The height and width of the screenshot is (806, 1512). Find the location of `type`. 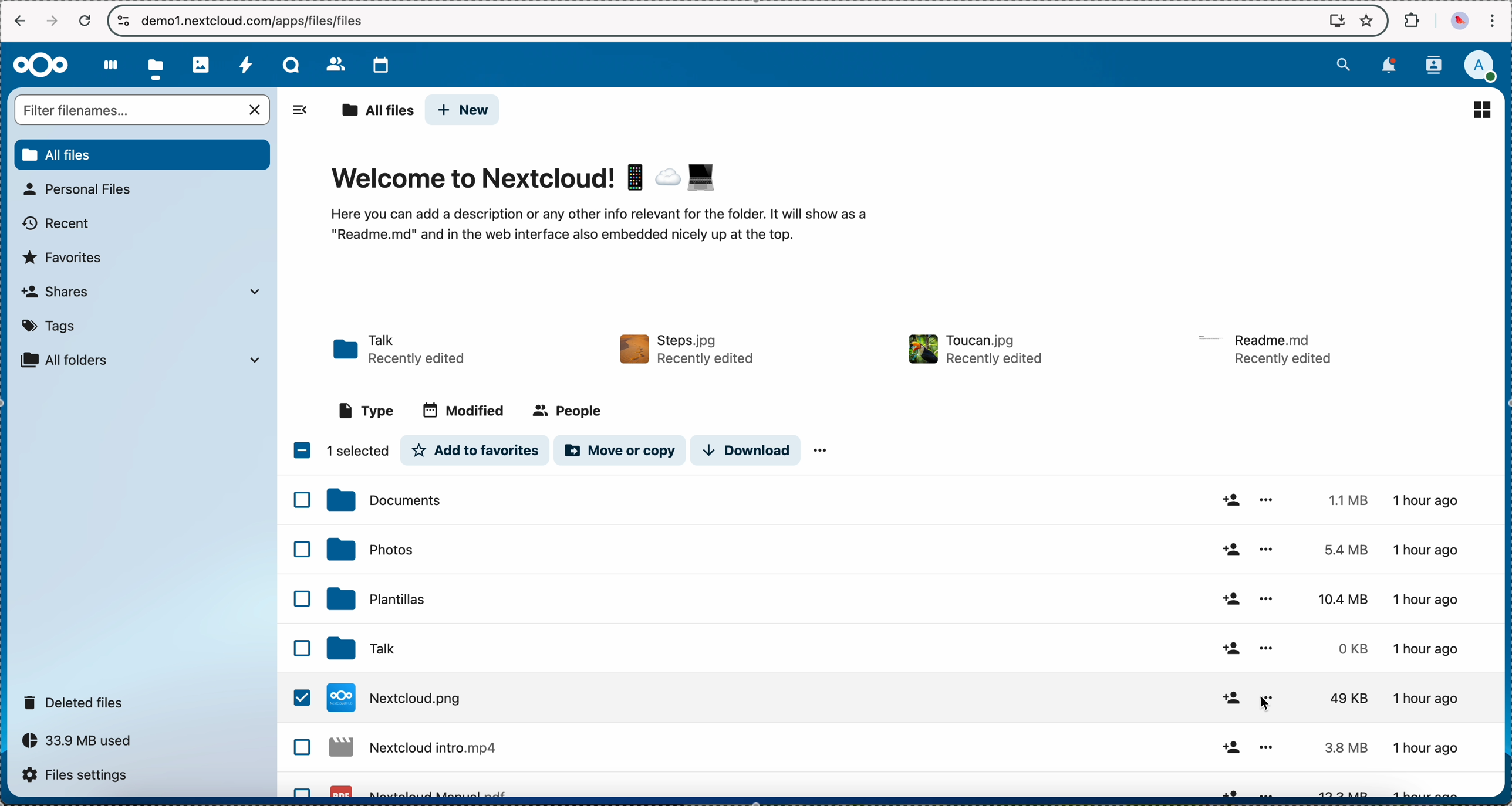

type is located at coordinates (367, 409).